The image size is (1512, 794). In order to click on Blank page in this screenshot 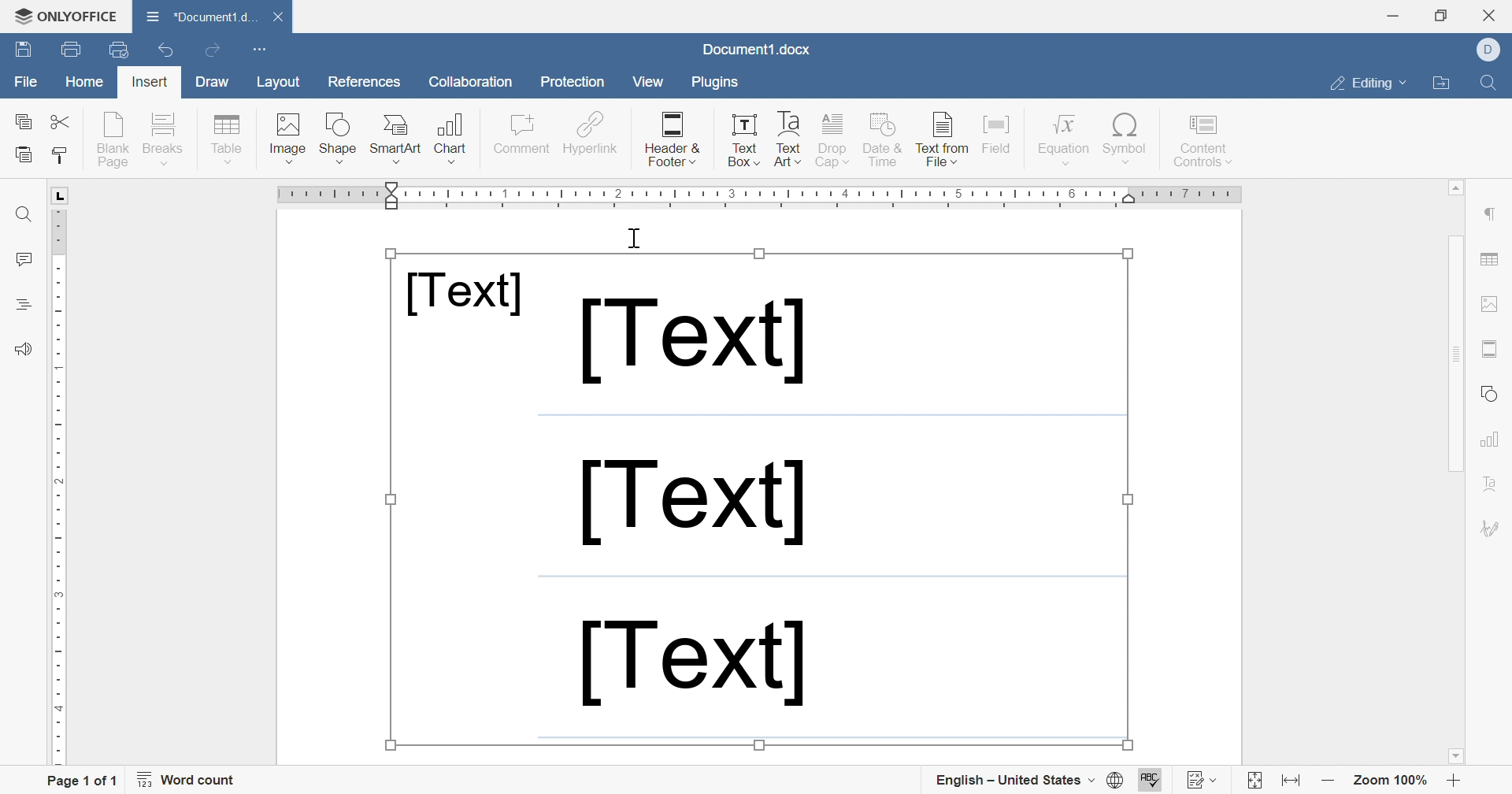, I will do `click(116, 139)`.